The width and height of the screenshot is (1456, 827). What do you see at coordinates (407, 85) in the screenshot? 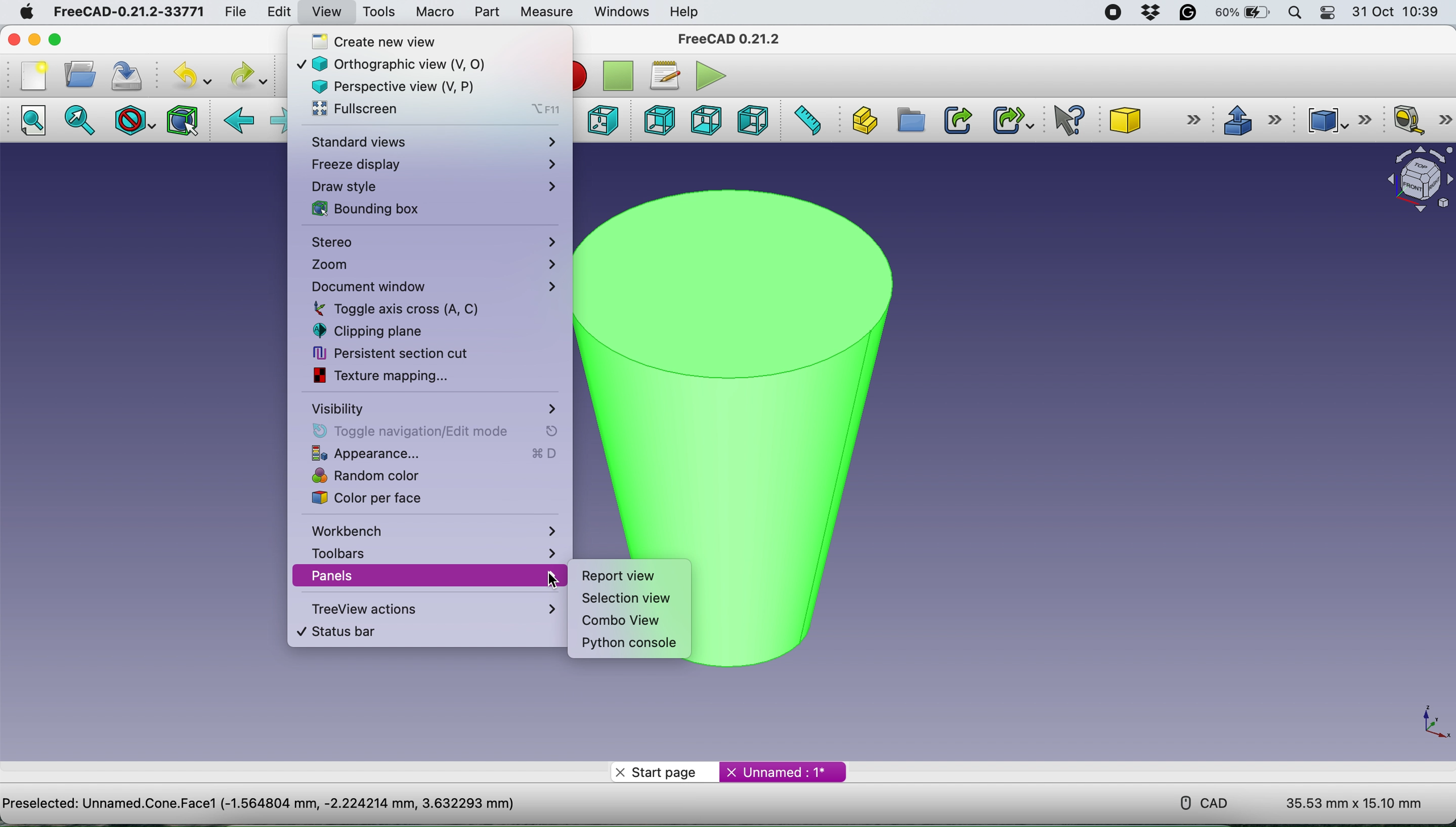
I see `perspective view (V,P)` at bounding box center [407, 85].